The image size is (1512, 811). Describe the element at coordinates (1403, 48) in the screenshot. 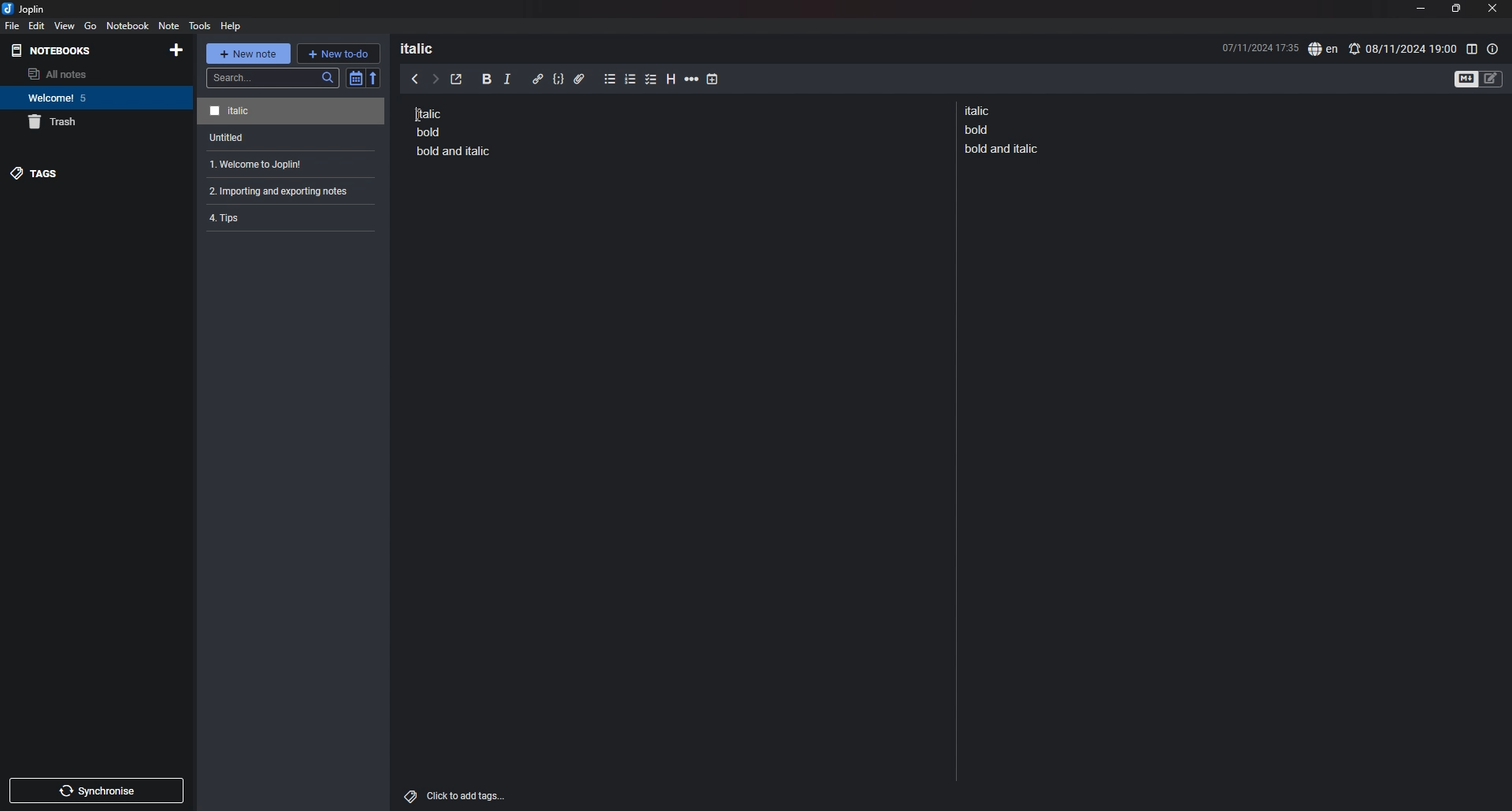

I see `set alarm` at that location.